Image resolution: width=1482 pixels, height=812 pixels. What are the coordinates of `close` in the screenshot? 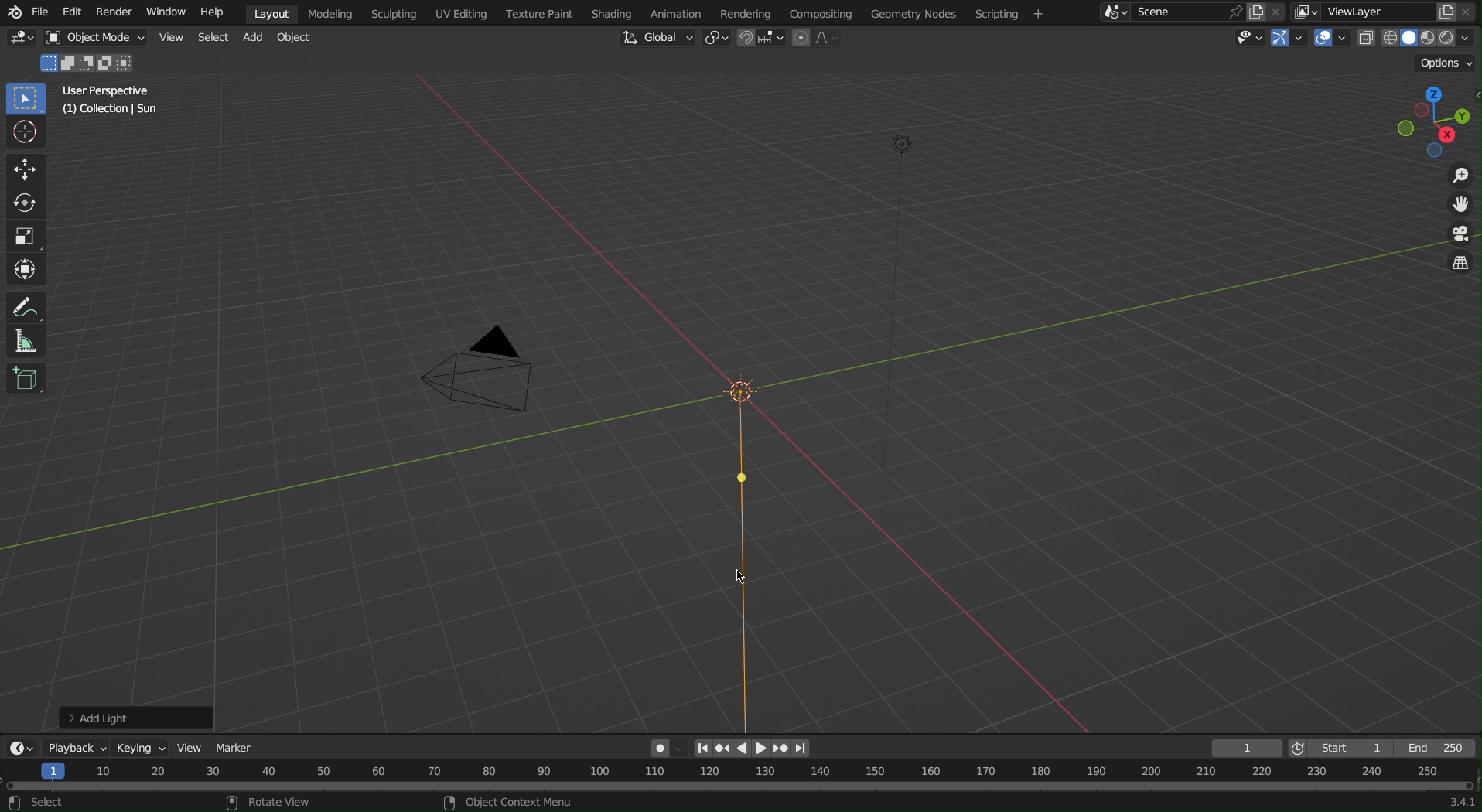 It's located at (1470, 12).